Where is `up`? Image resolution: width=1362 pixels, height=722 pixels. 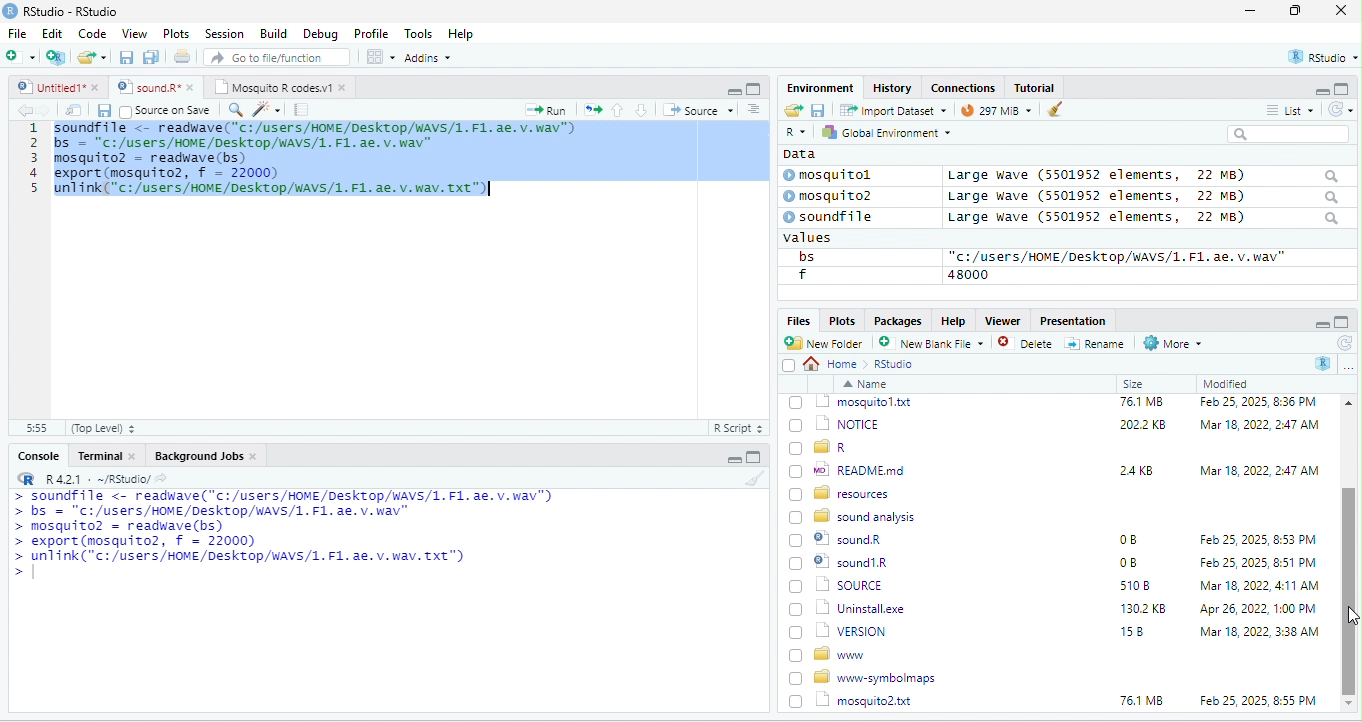 up is located at coordinates (619, 109).